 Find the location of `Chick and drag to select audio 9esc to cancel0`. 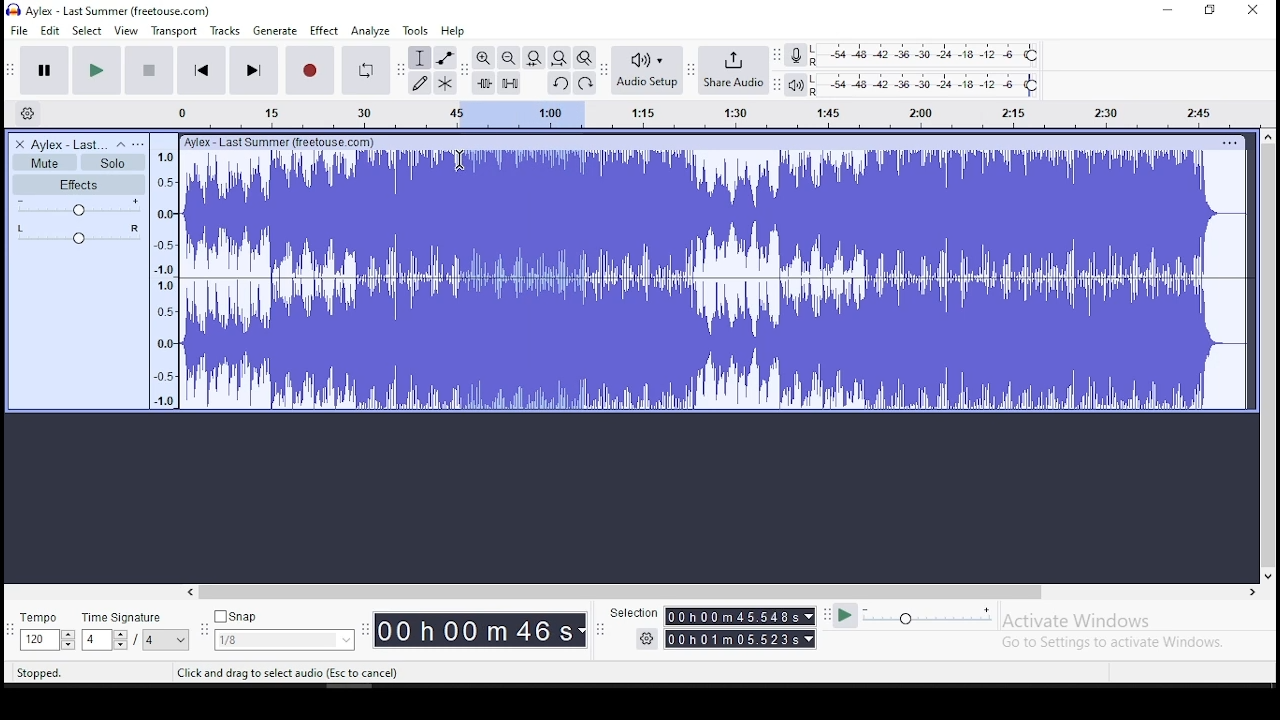

Chick and drag to select audio 9esc to cancel0 is located at coordinates (291, 674).